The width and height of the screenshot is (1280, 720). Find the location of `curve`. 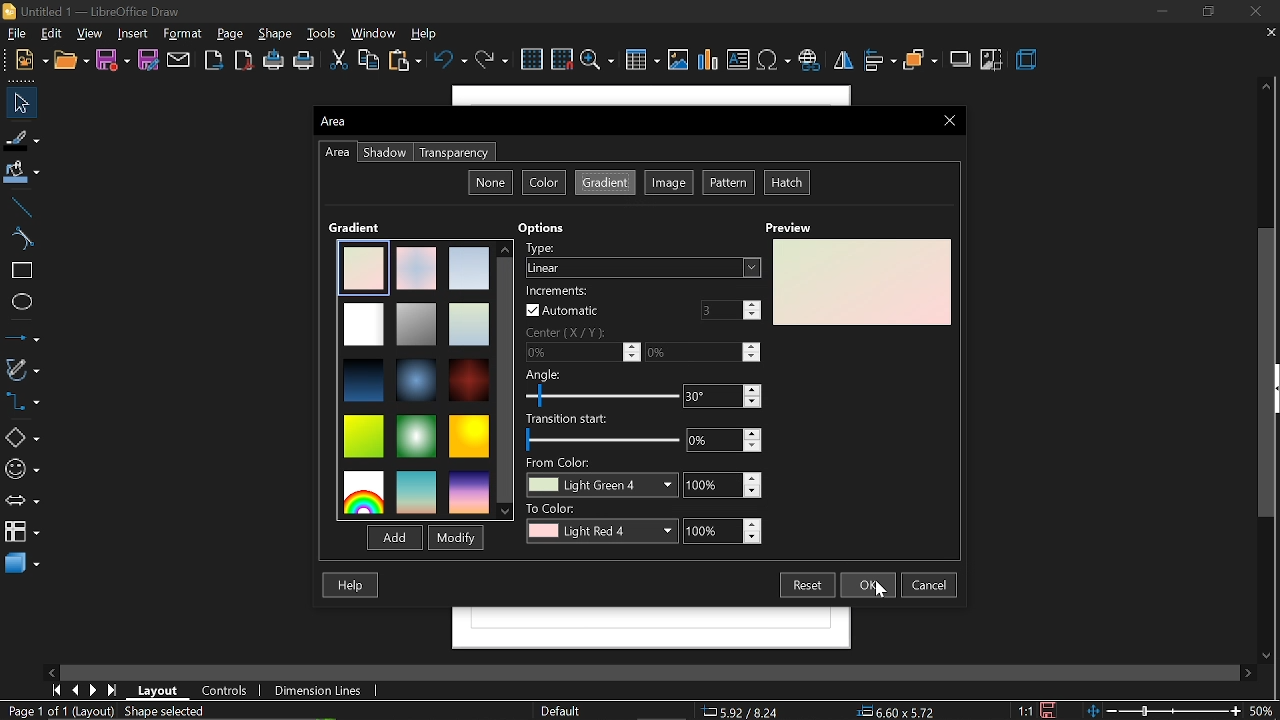

curve is located at coordinates (19, 240).